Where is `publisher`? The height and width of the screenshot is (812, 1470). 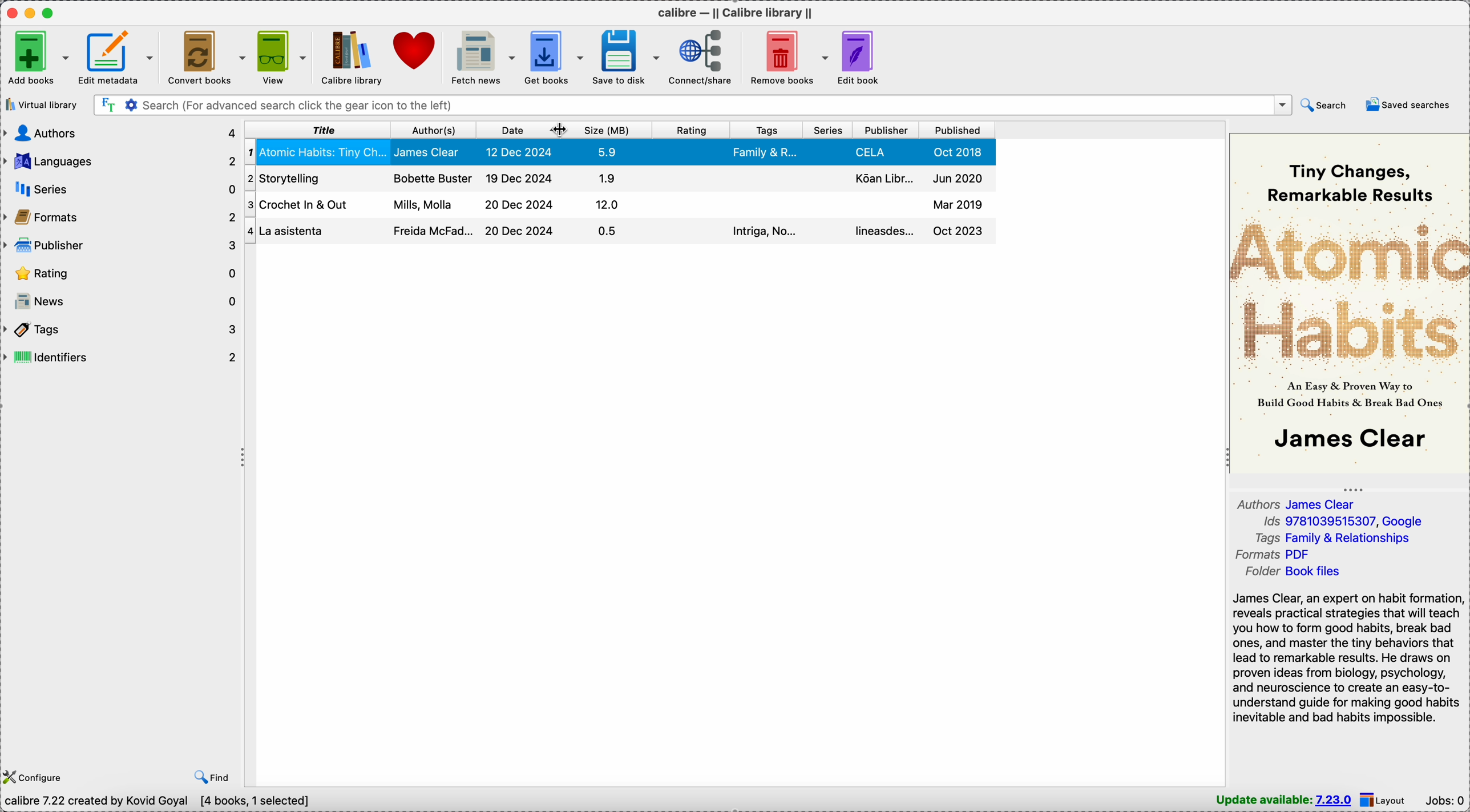
publisher is located at coordinates (122, 246).